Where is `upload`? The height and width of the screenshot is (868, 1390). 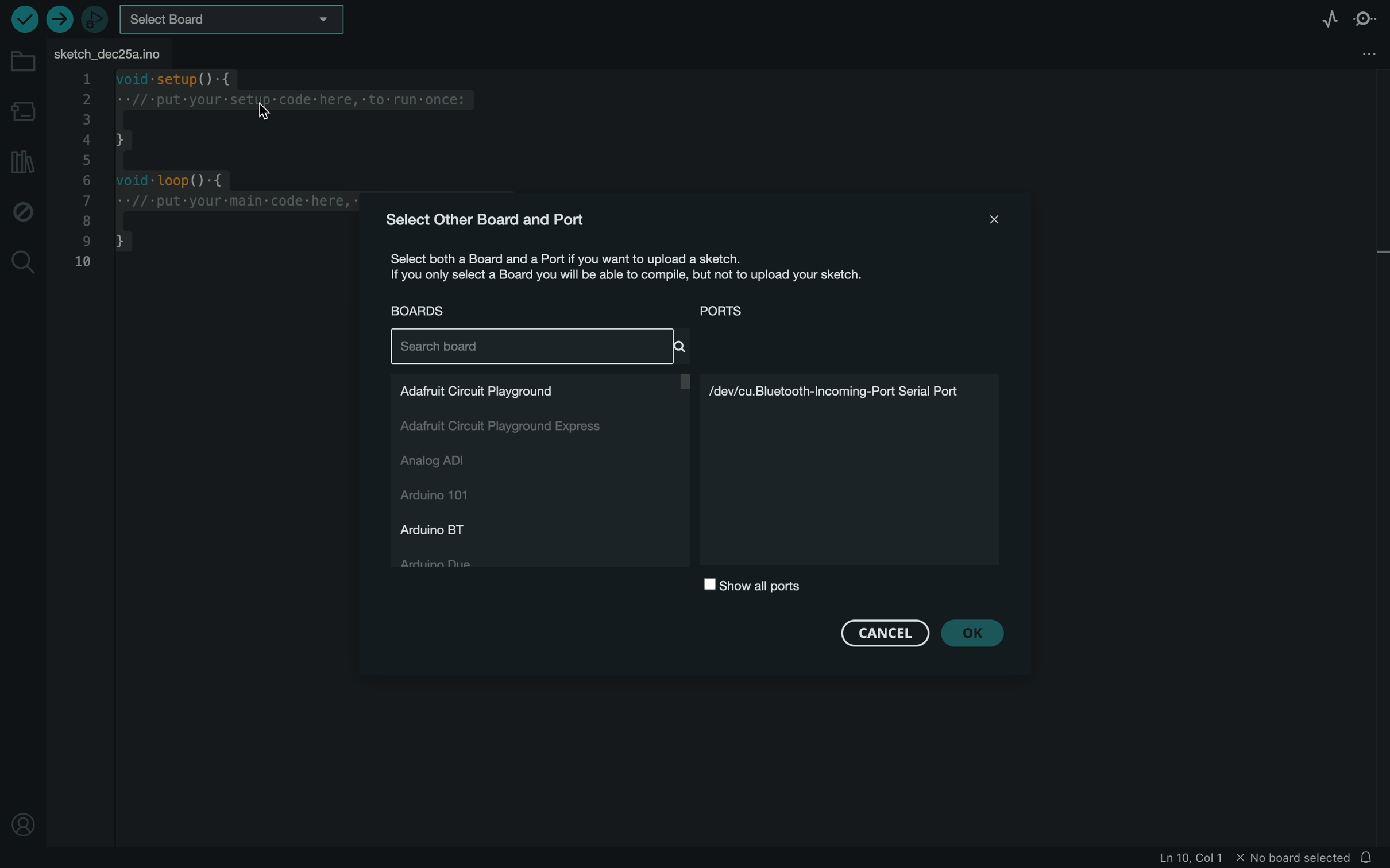 upload is located at coordinates (62, 22).